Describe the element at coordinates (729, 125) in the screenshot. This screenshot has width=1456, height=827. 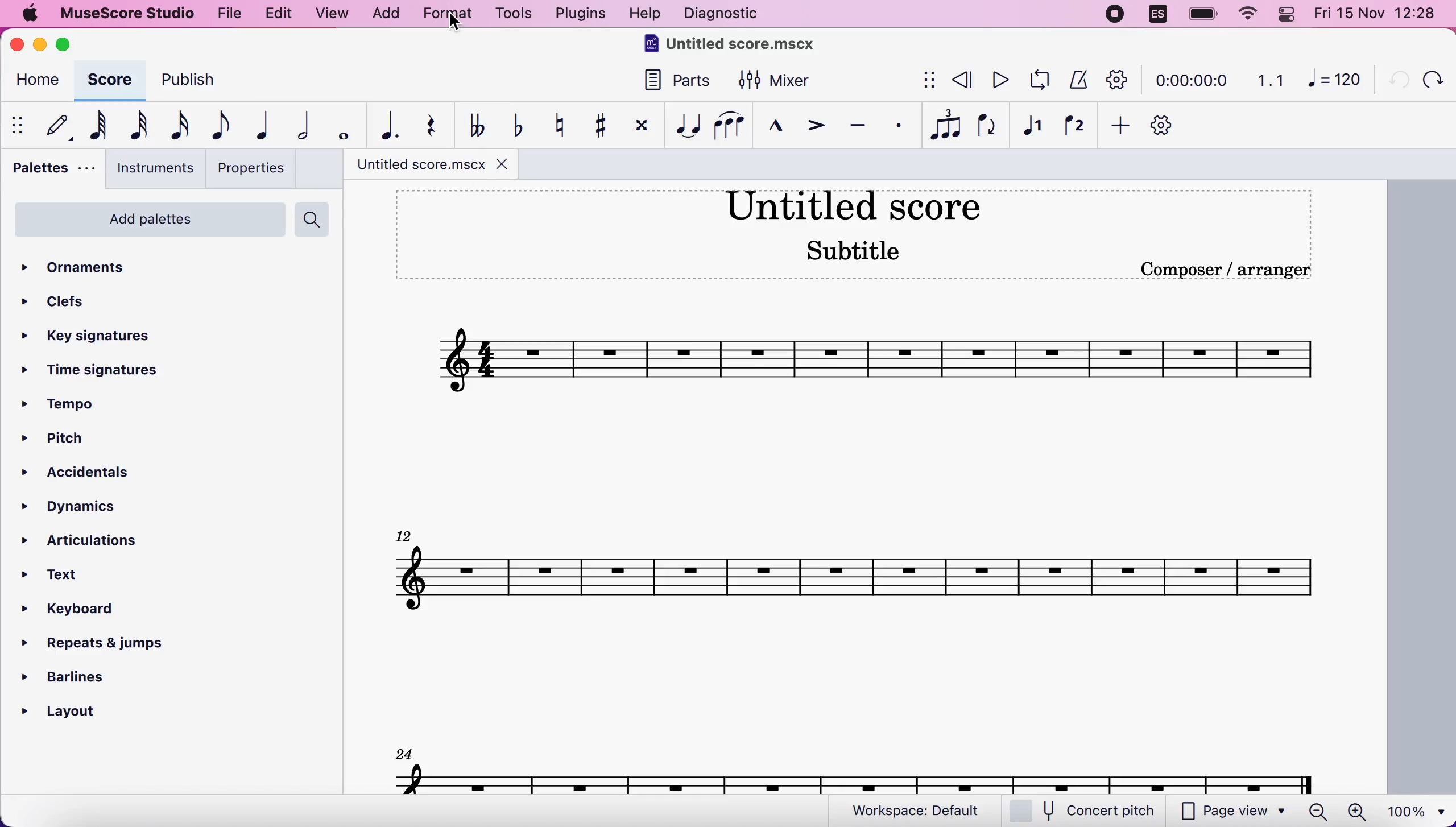
I see `slur` at that location.